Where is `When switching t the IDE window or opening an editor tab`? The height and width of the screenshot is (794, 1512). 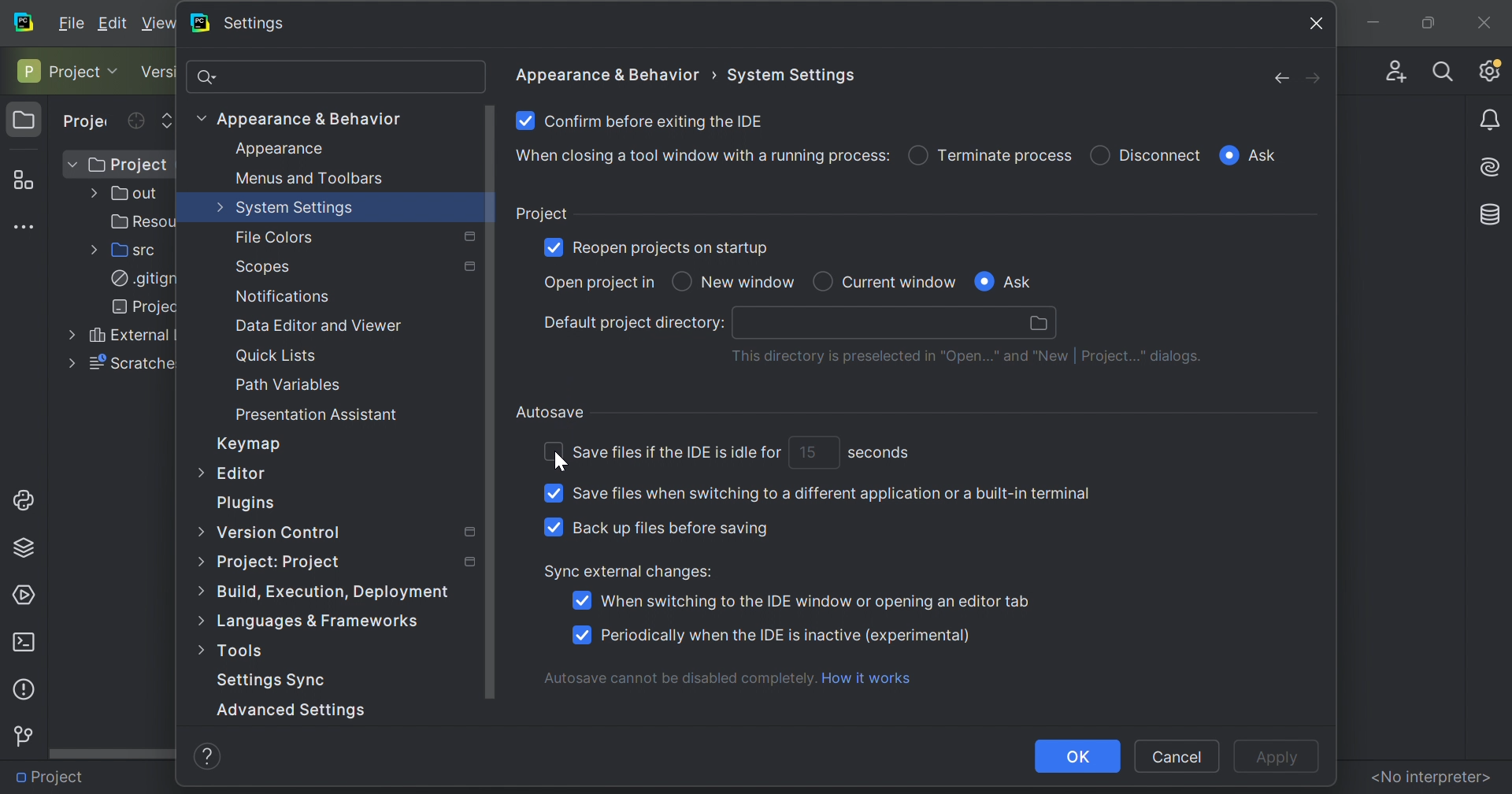 When switching t the IDE window or opening an editor tab is located at coordinates (813, 601).